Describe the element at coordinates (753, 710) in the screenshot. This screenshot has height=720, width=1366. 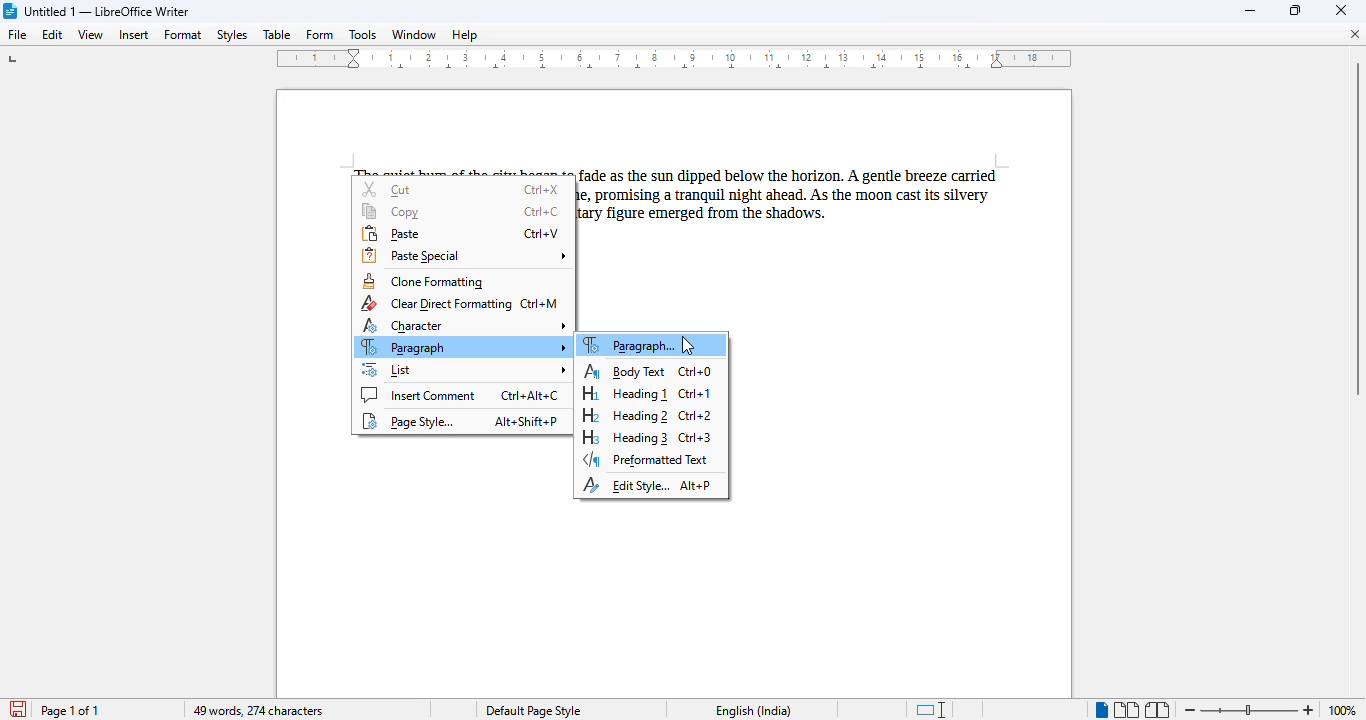
I see `text language` at that location.